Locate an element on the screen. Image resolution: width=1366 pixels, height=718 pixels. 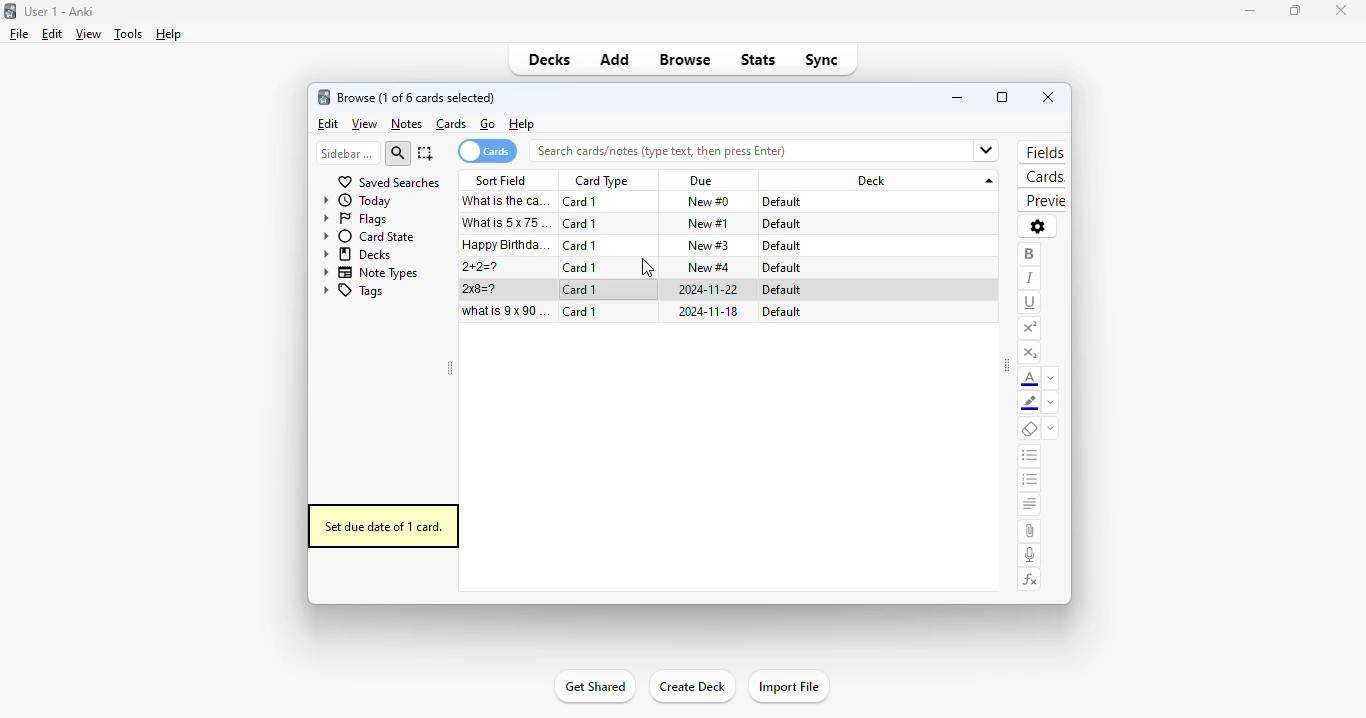
due is located at coordinates (701, 182).